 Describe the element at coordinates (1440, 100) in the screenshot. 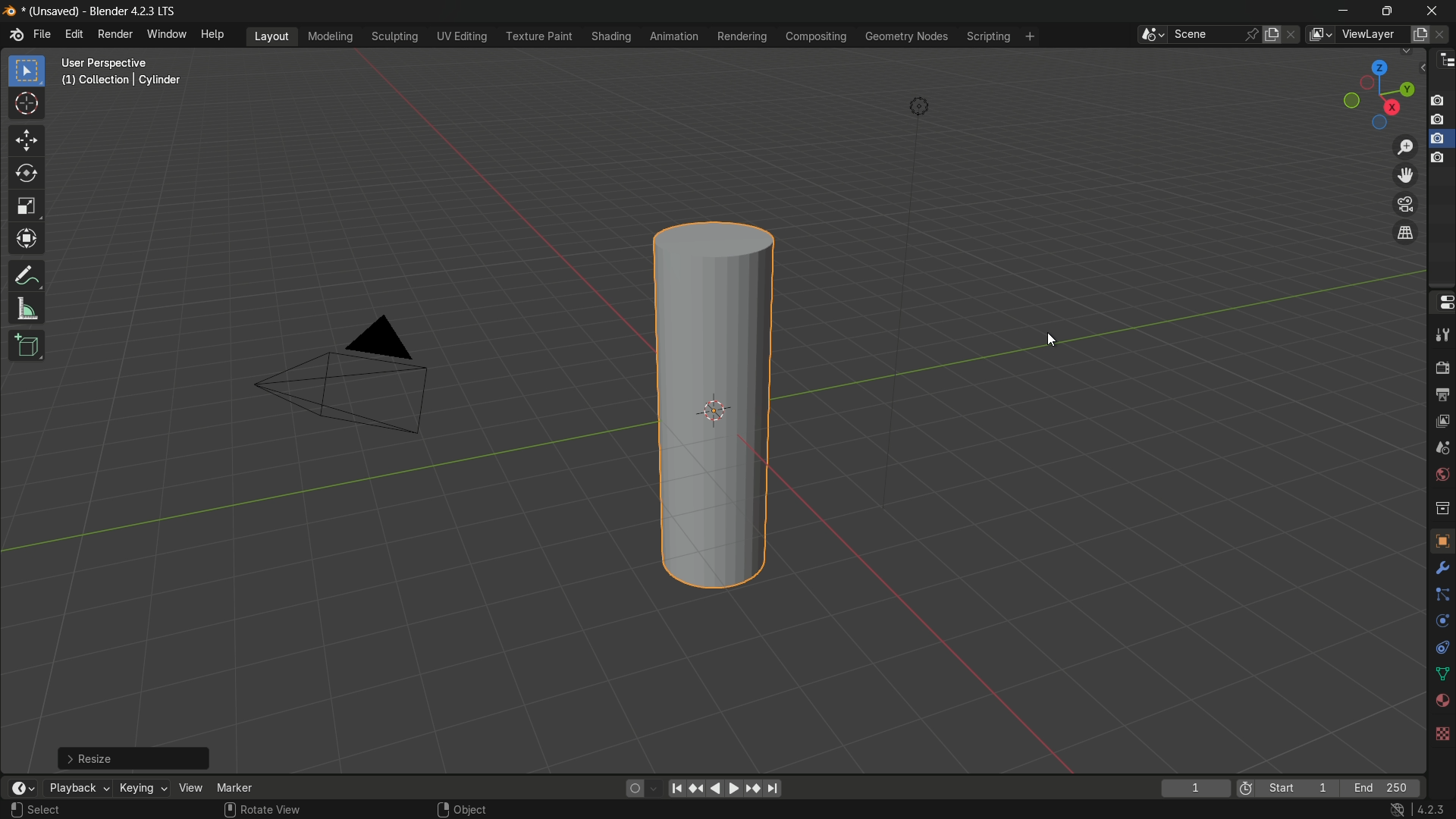

I see `layer 1` at that location.